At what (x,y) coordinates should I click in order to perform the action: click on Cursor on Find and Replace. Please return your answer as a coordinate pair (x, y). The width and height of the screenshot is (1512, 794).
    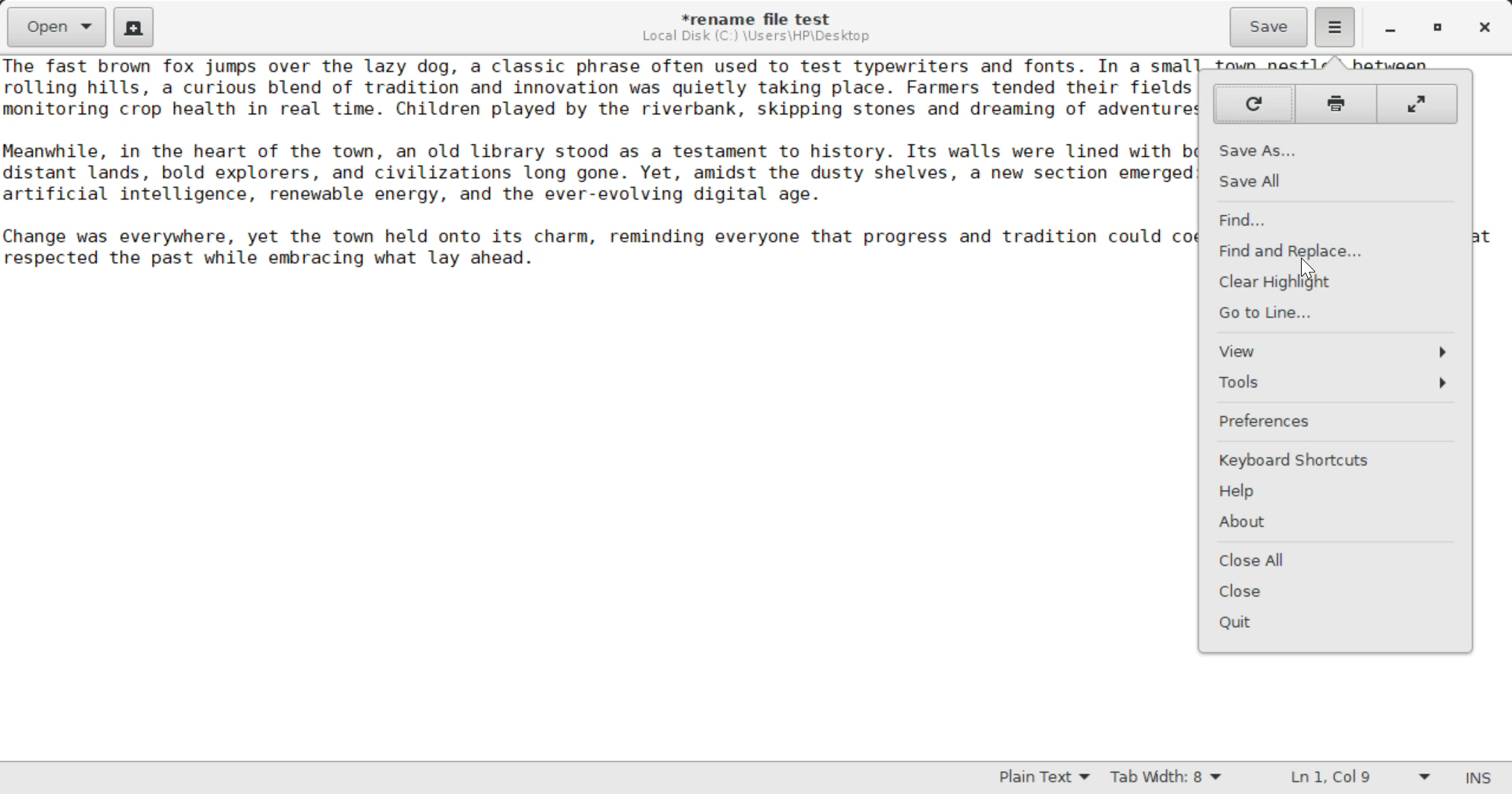
    Looking at the image, I should click on (1331, 254).